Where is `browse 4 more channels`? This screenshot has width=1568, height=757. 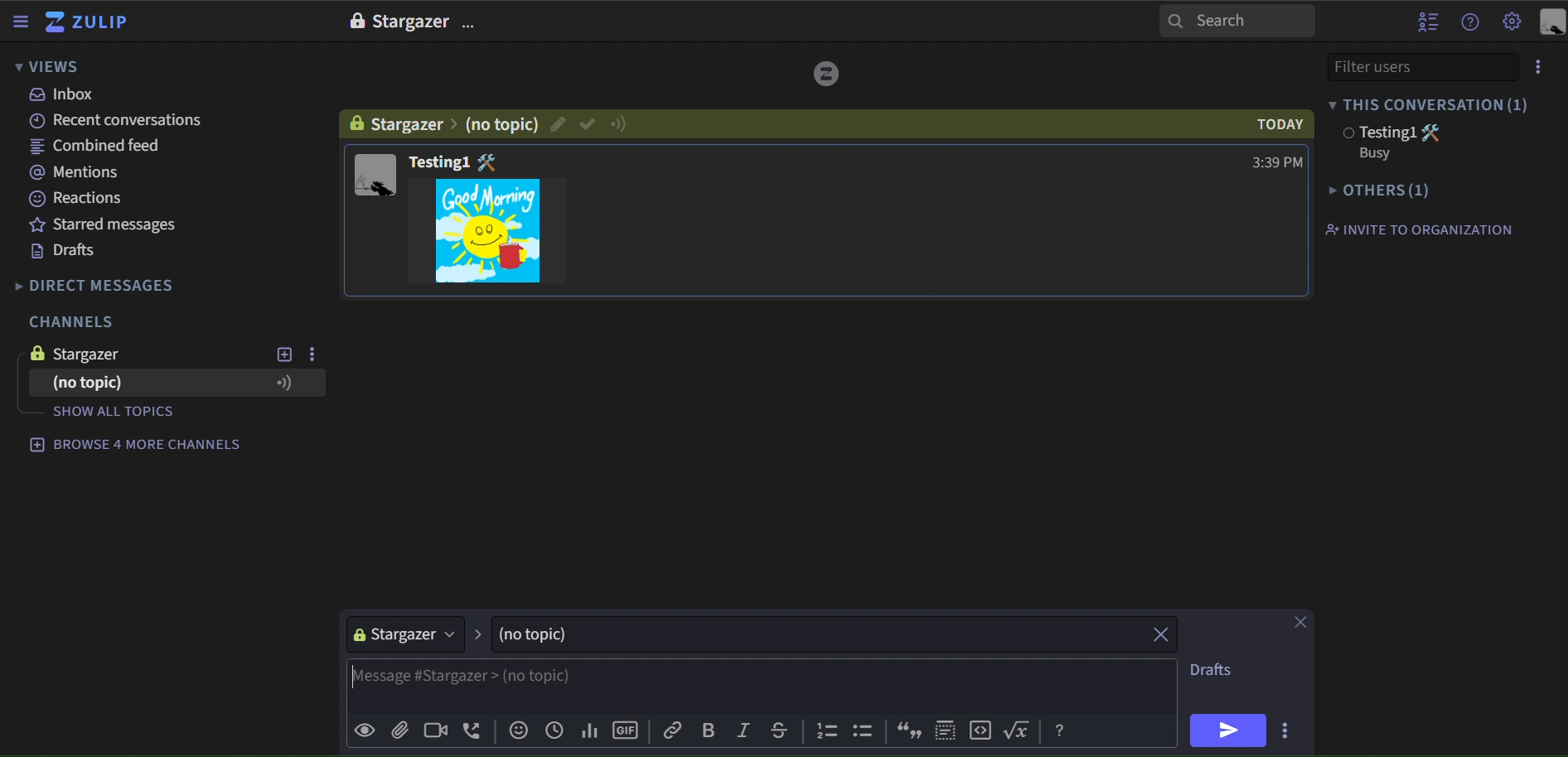
browse 4 more channels is located at coordinates (132, 446).